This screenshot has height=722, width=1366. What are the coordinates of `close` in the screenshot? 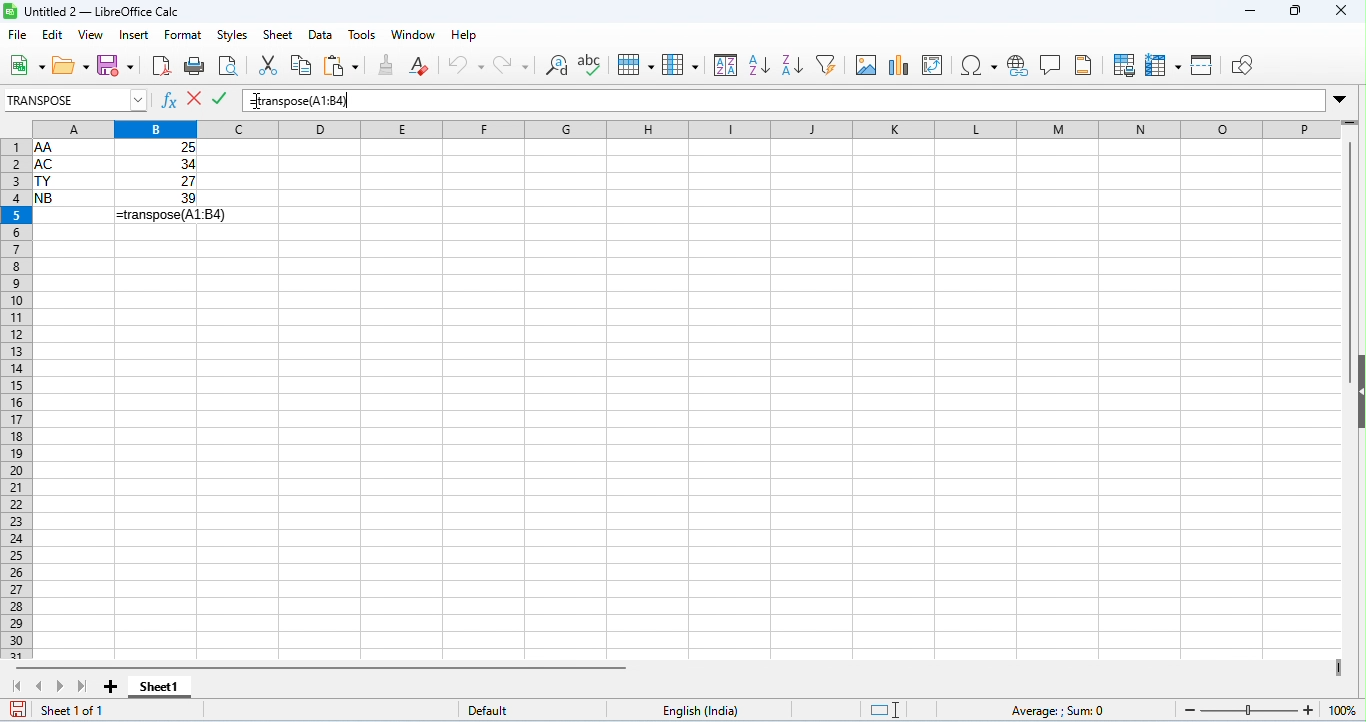 It's located at (1341, 11).